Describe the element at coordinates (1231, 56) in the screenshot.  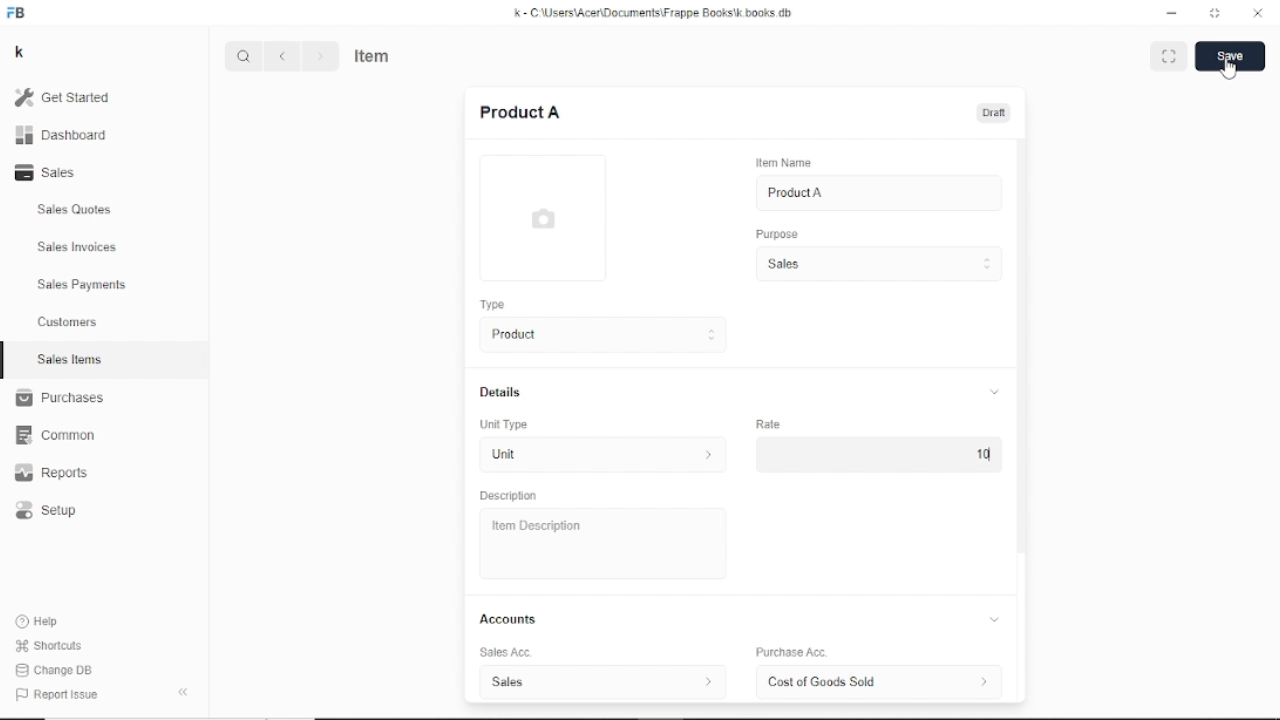
I see `Save` at that location.